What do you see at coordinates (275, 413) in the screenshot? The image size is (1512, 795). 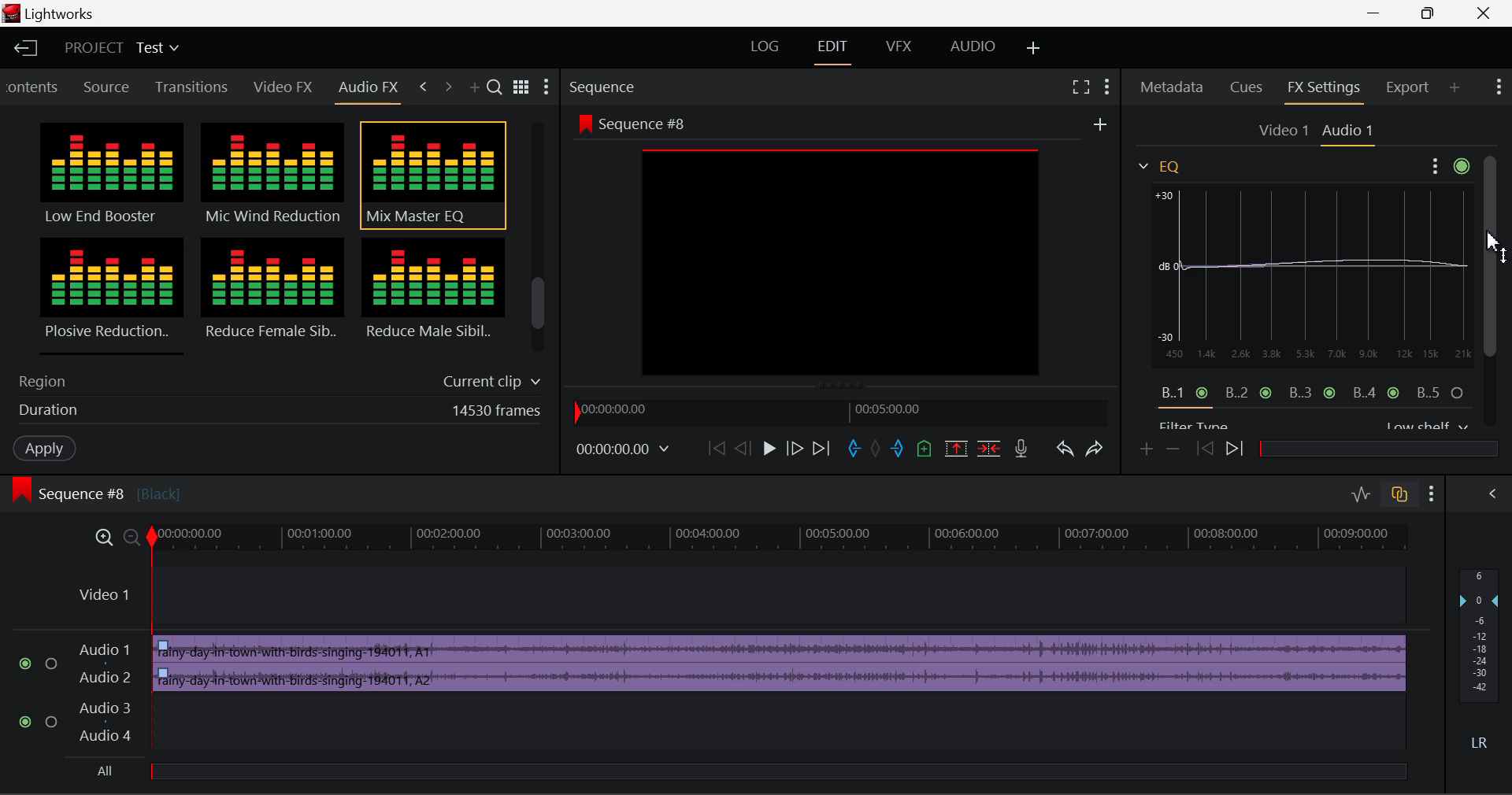 I see `Duration` at bounding box center [275, 413].